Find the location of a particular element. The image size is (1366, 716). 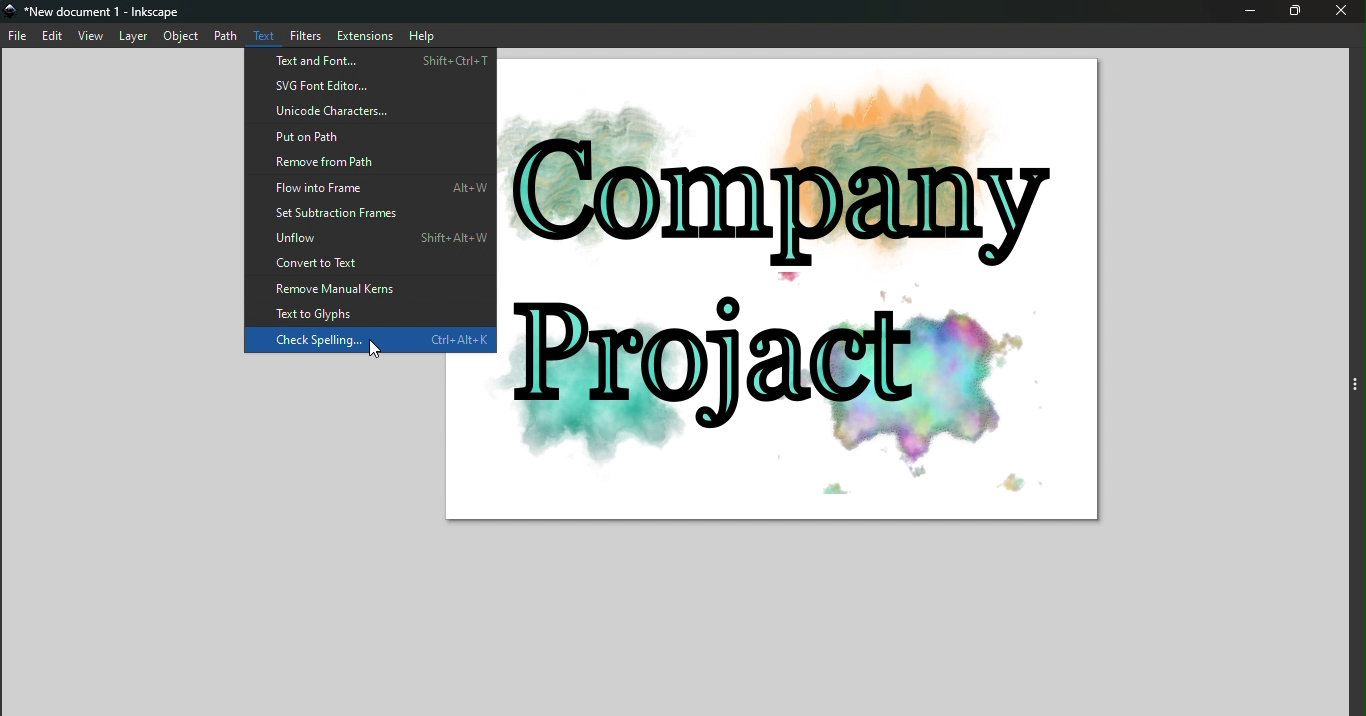

Text and front is located at coordinates (370, 60).